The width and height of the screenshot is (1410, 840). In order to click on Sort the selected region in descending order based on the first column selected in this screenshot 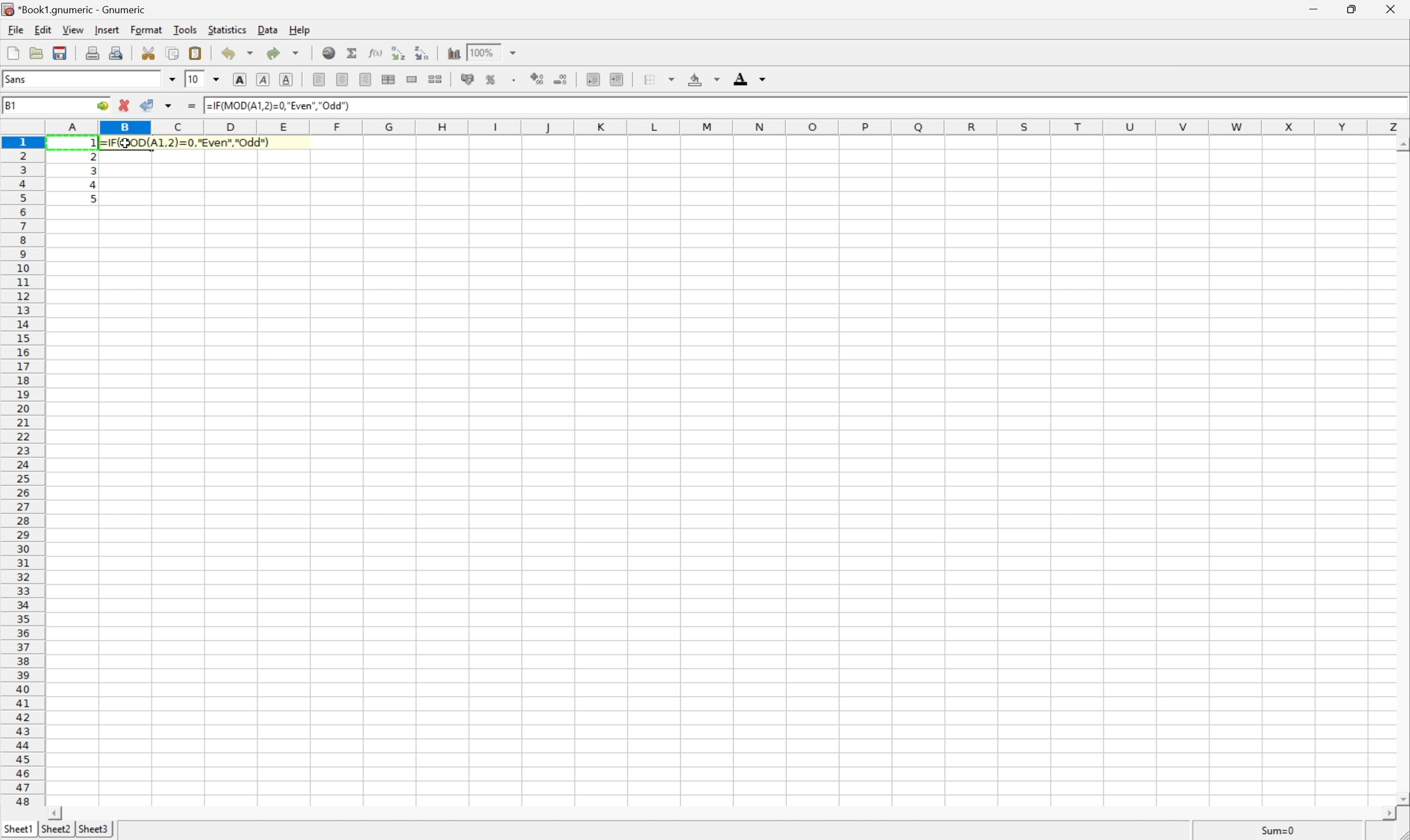, I will do `click(421, 52)`.